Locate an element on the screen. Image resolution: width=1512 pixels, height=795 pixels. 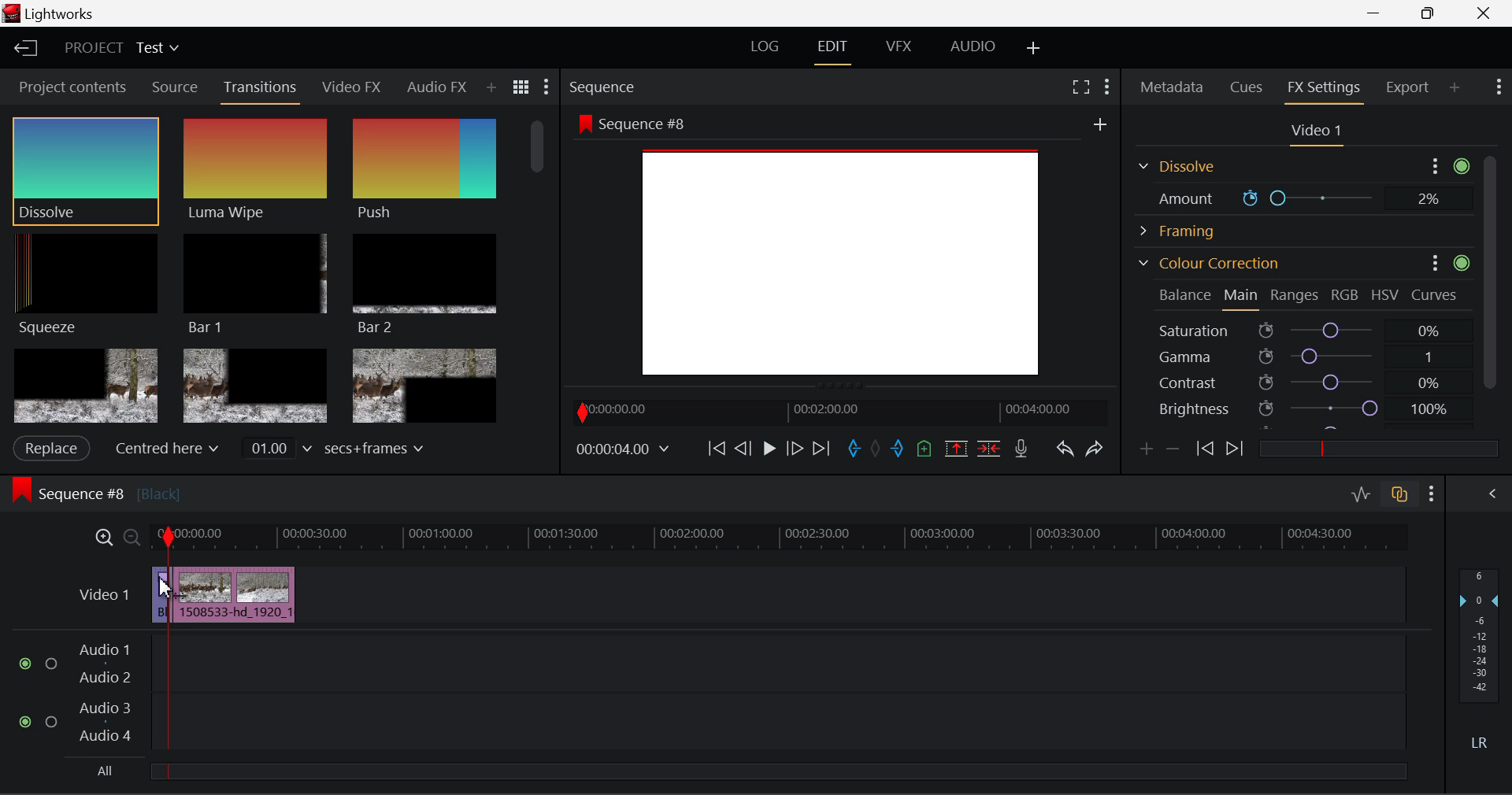
Audio Input Fields is located at coordinates (712, 694).